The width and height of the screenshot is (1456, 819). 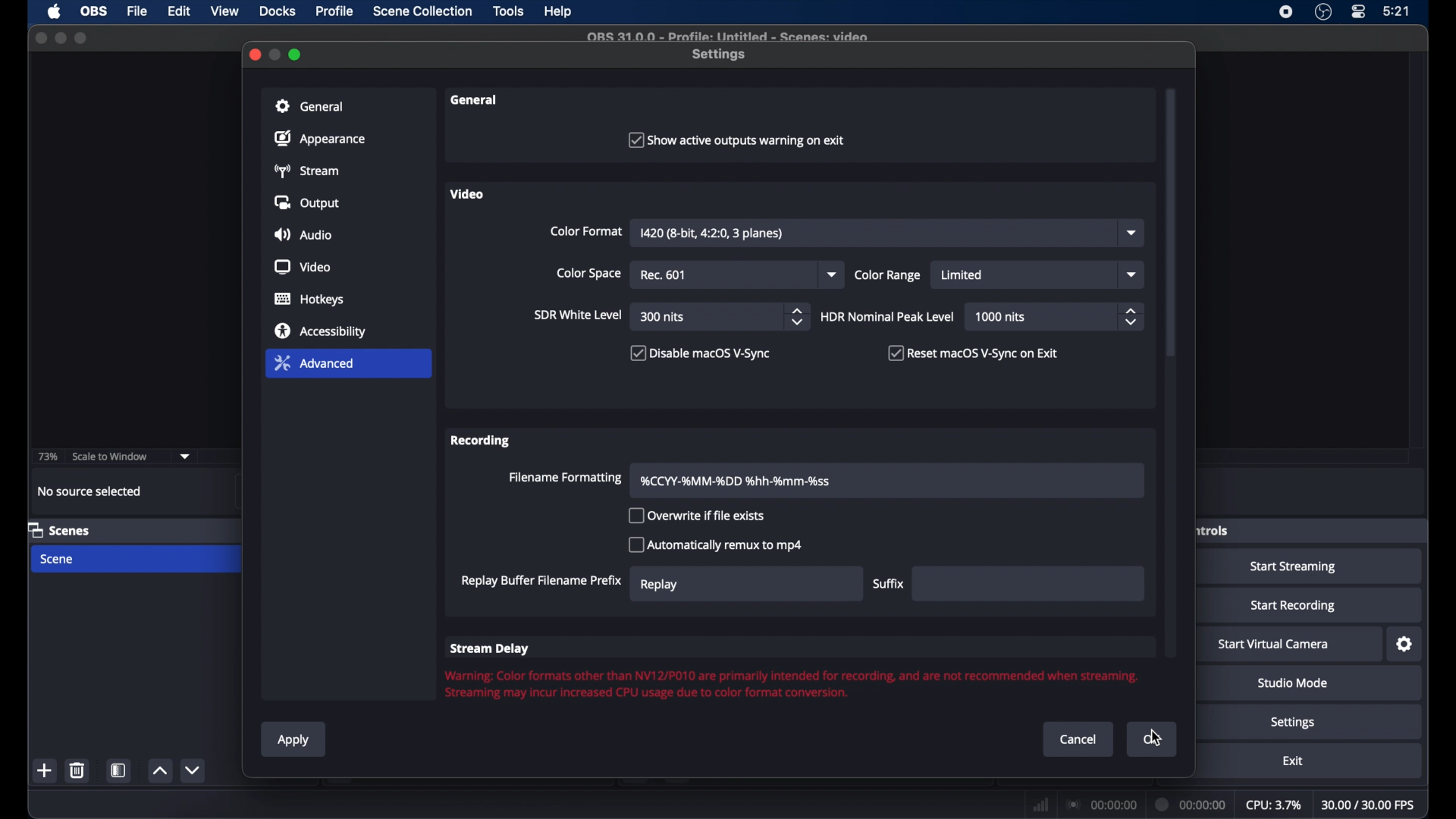 What do you see at coordinates (1294, 685) in the screenshot?
I see `studio mode` at bounding box center [1294, 685].